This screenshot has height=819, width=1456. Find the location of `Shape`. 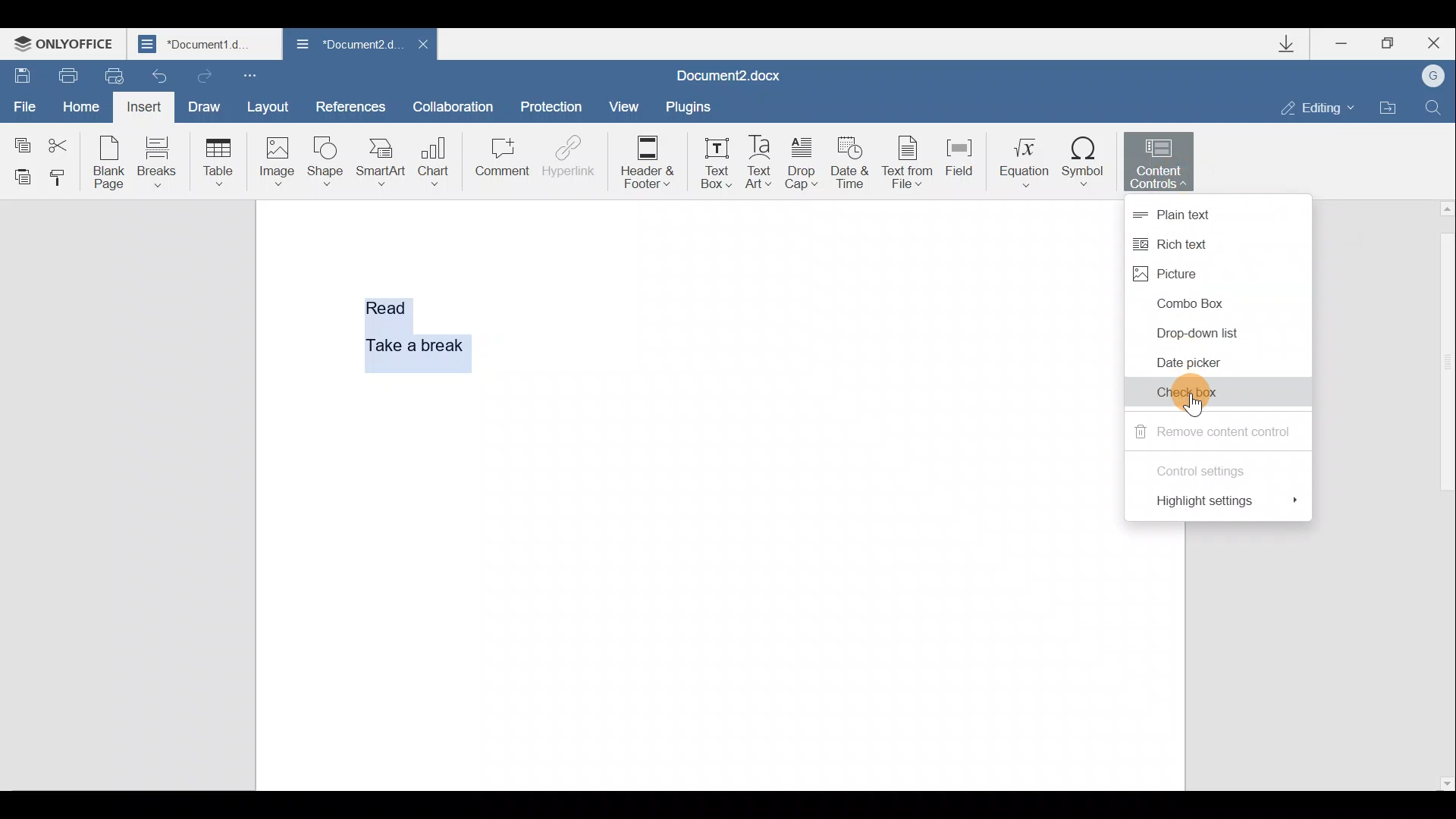

Shape is located at coordinates (323, 162).